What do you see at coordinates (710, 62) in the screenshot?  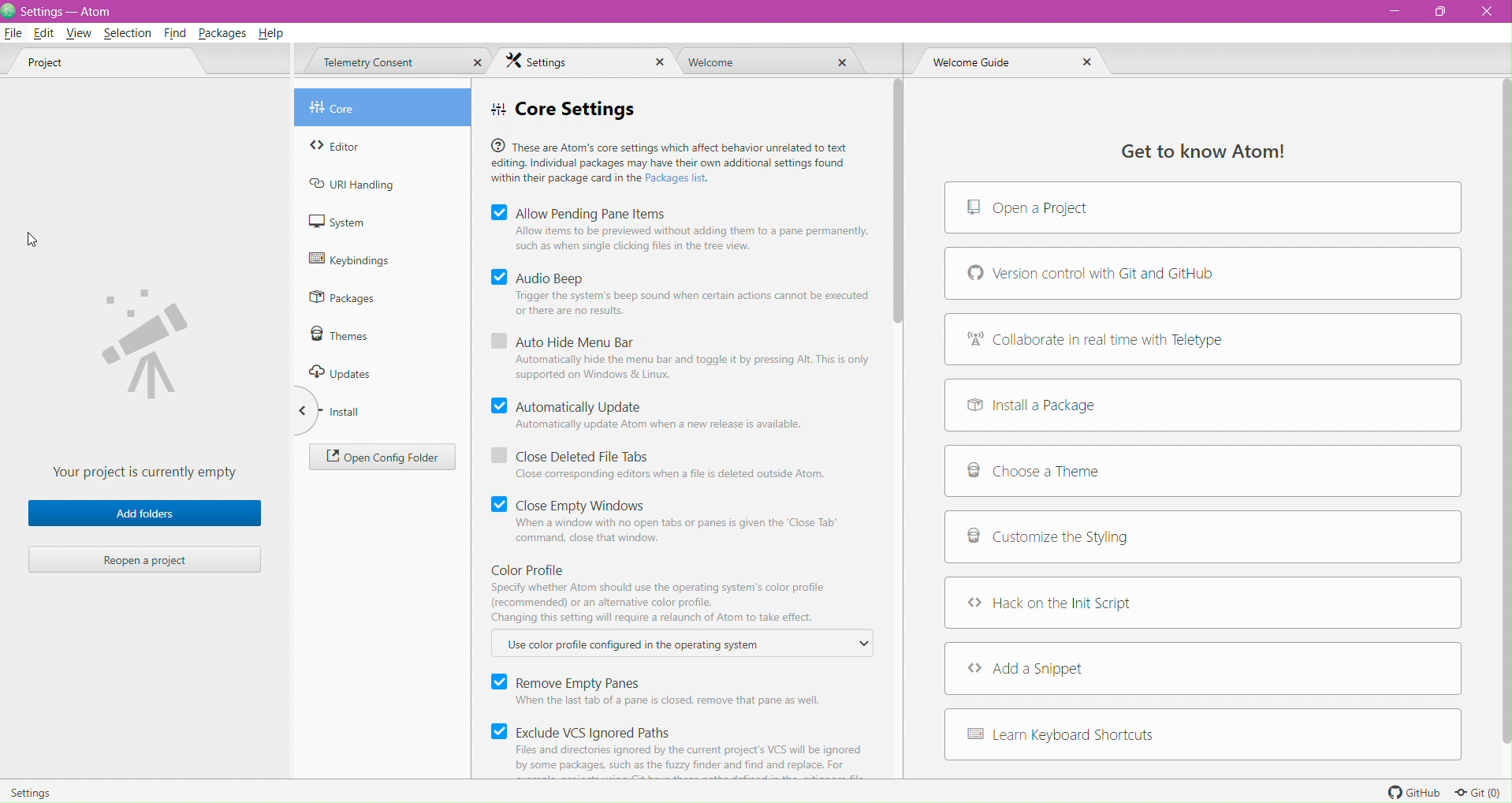 I see `Welcome` at bounding box center [710, 62].